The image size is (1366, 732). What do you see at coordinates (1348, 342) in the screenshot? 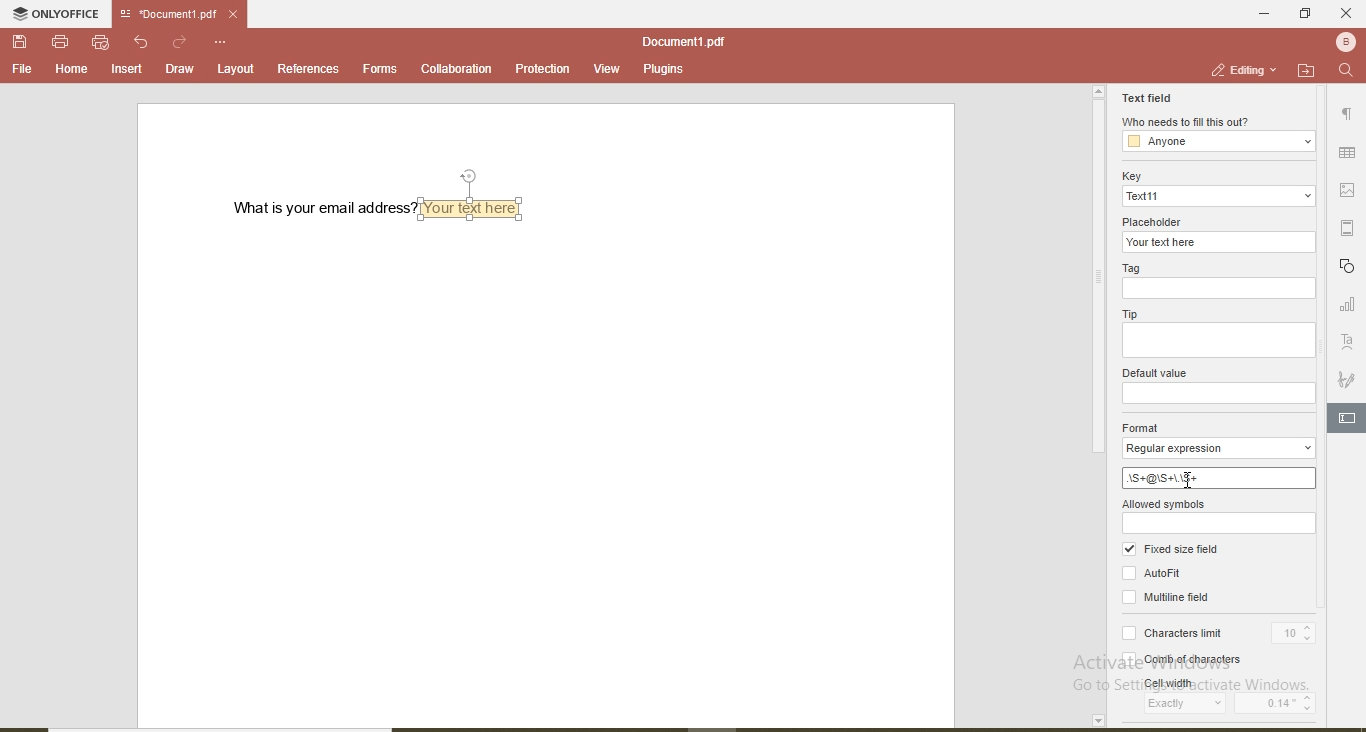
I see `text` at bounding box center [1348, 342].